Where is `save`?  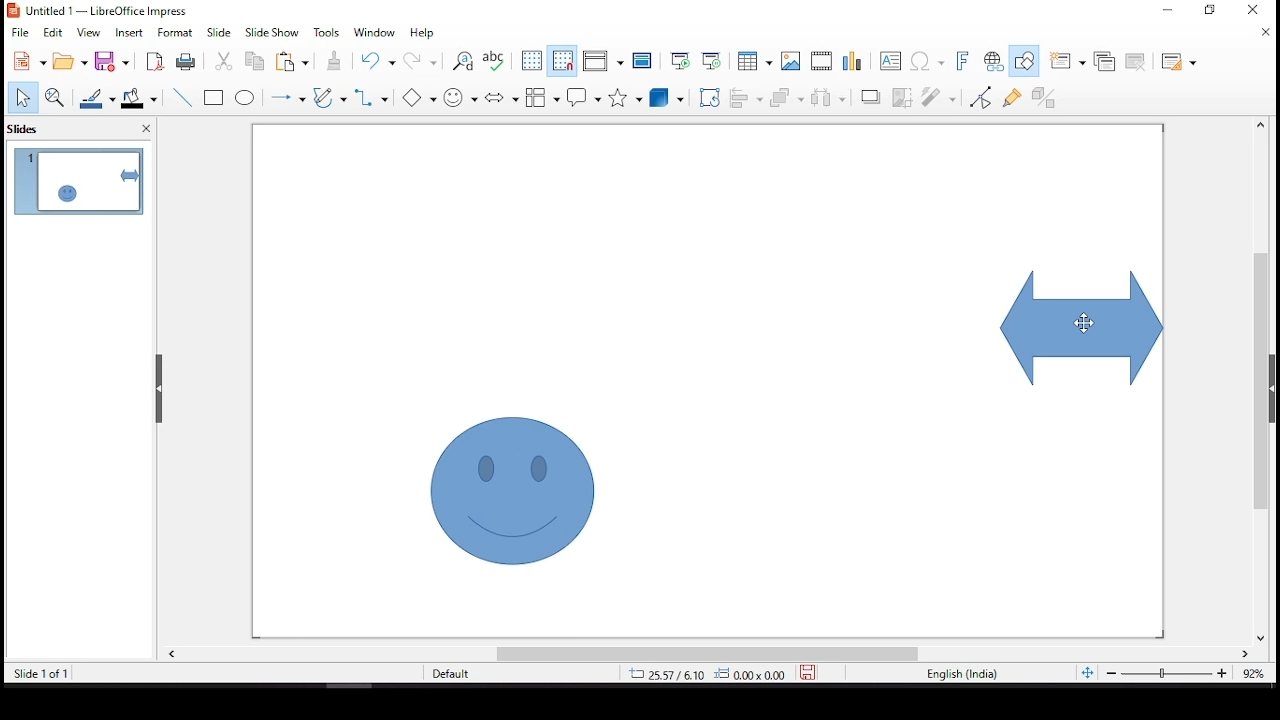 save is located at coordinates (808, 670).